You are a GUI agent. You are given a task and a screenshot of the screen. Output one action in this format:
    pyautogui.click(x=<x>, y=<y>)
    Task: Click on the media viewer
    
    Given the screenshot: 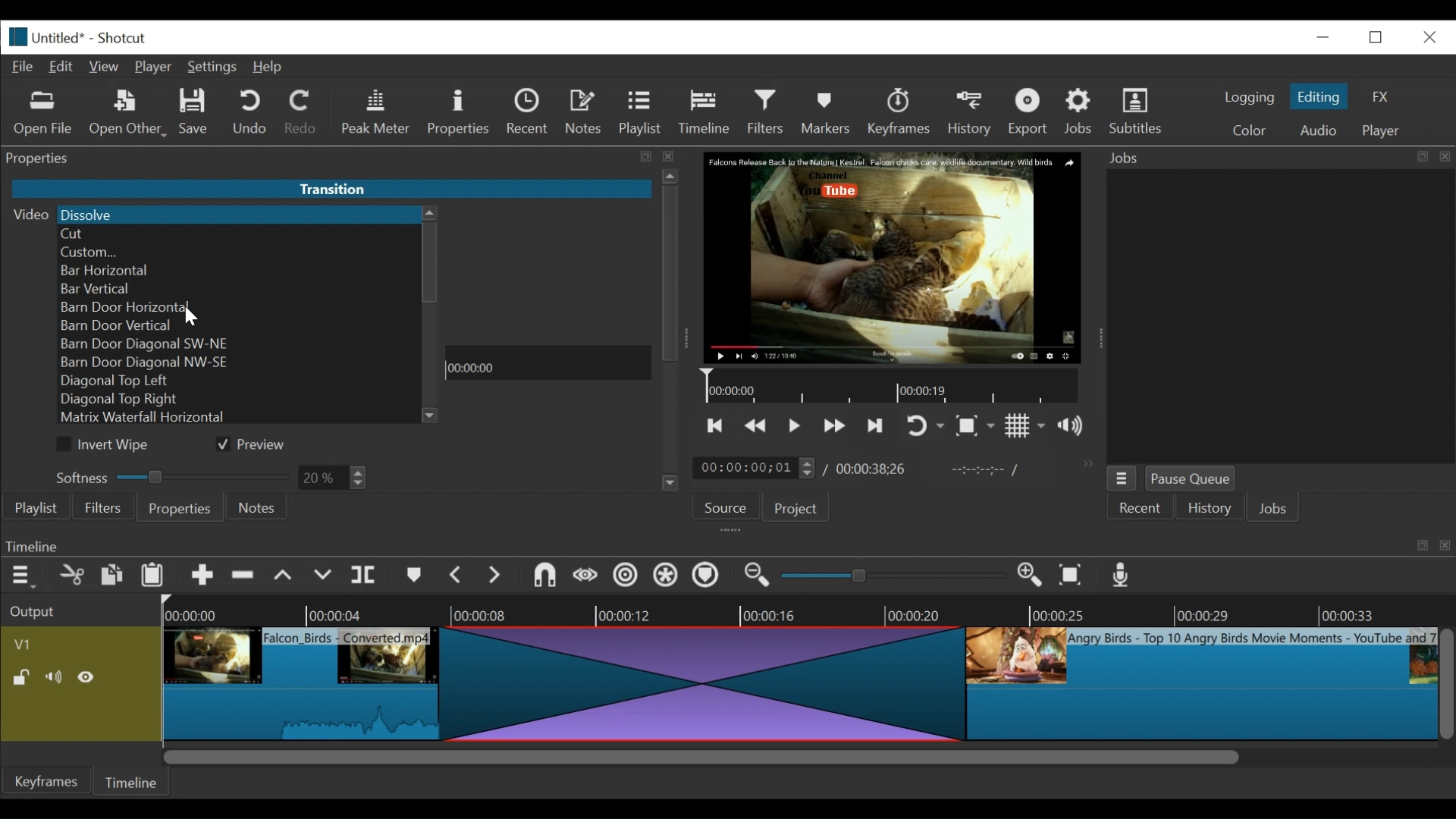 What is the action you would take?
    pyautogui.click(x=890, y=257)
    